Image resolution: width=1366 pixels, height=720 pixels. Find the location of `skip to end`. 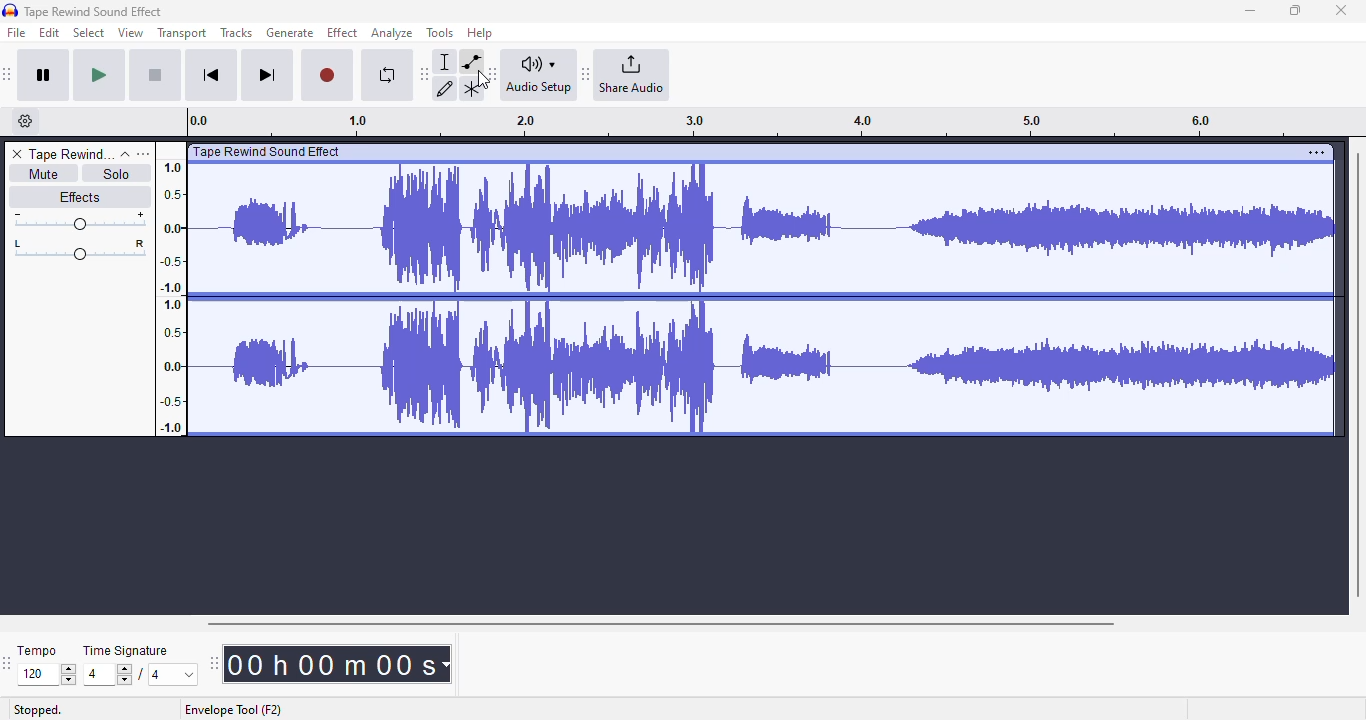

skip to end is located at coordinates (266, 76).